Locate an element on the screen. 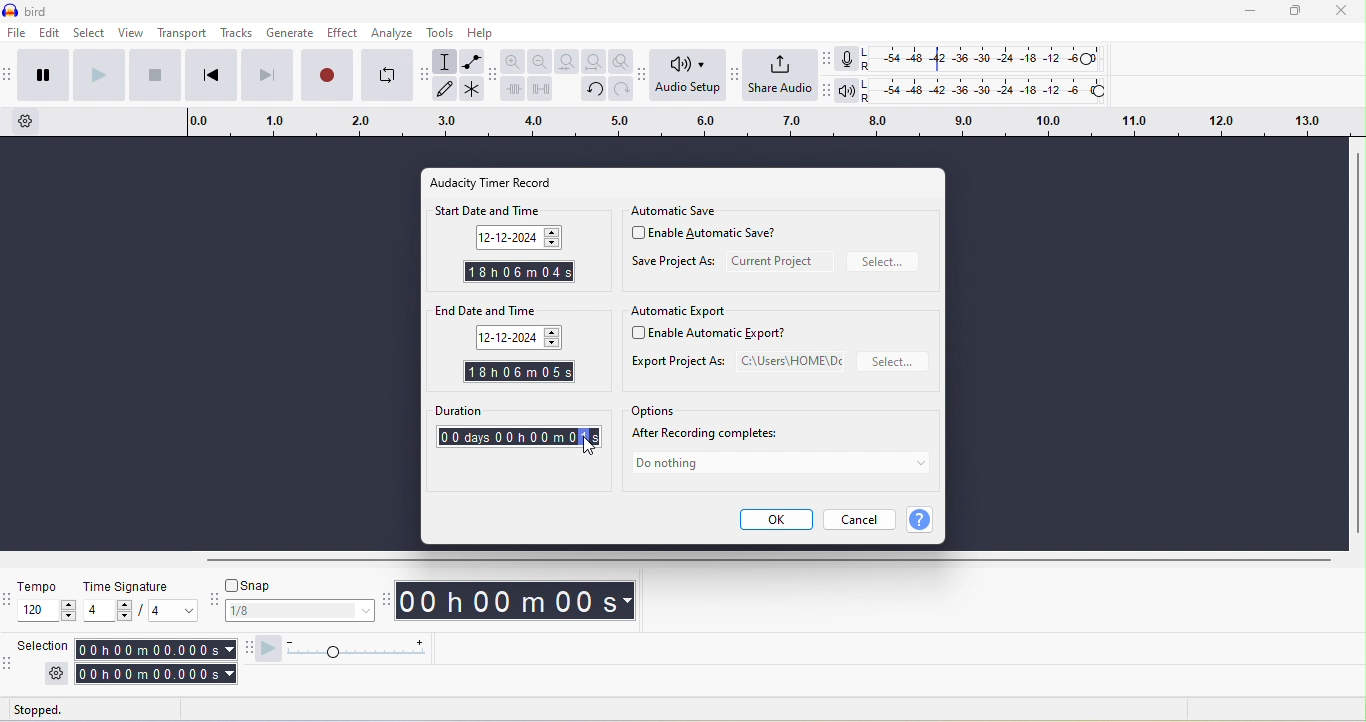 Image resolution: width=1366 pixels, height=722 pixels. zoom in is located at coordinates (518, 61).